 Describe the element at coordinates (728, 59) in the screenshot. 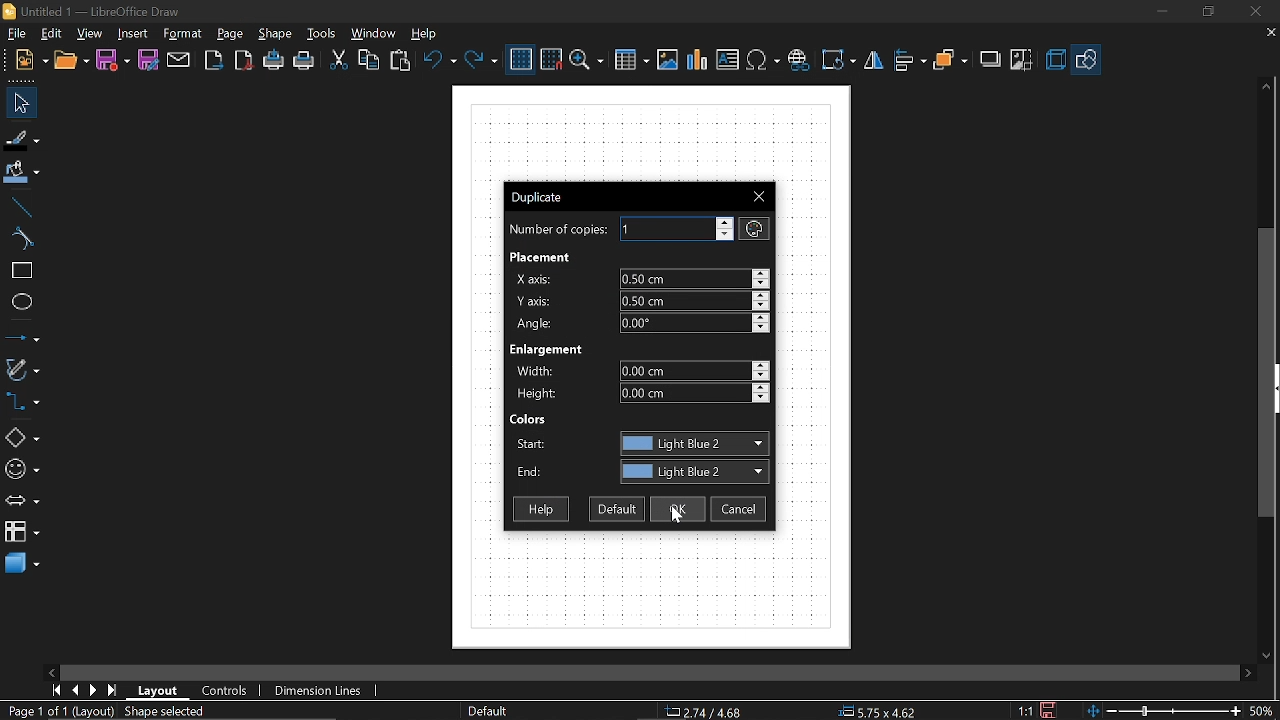

I see `Insert chart` at that location.